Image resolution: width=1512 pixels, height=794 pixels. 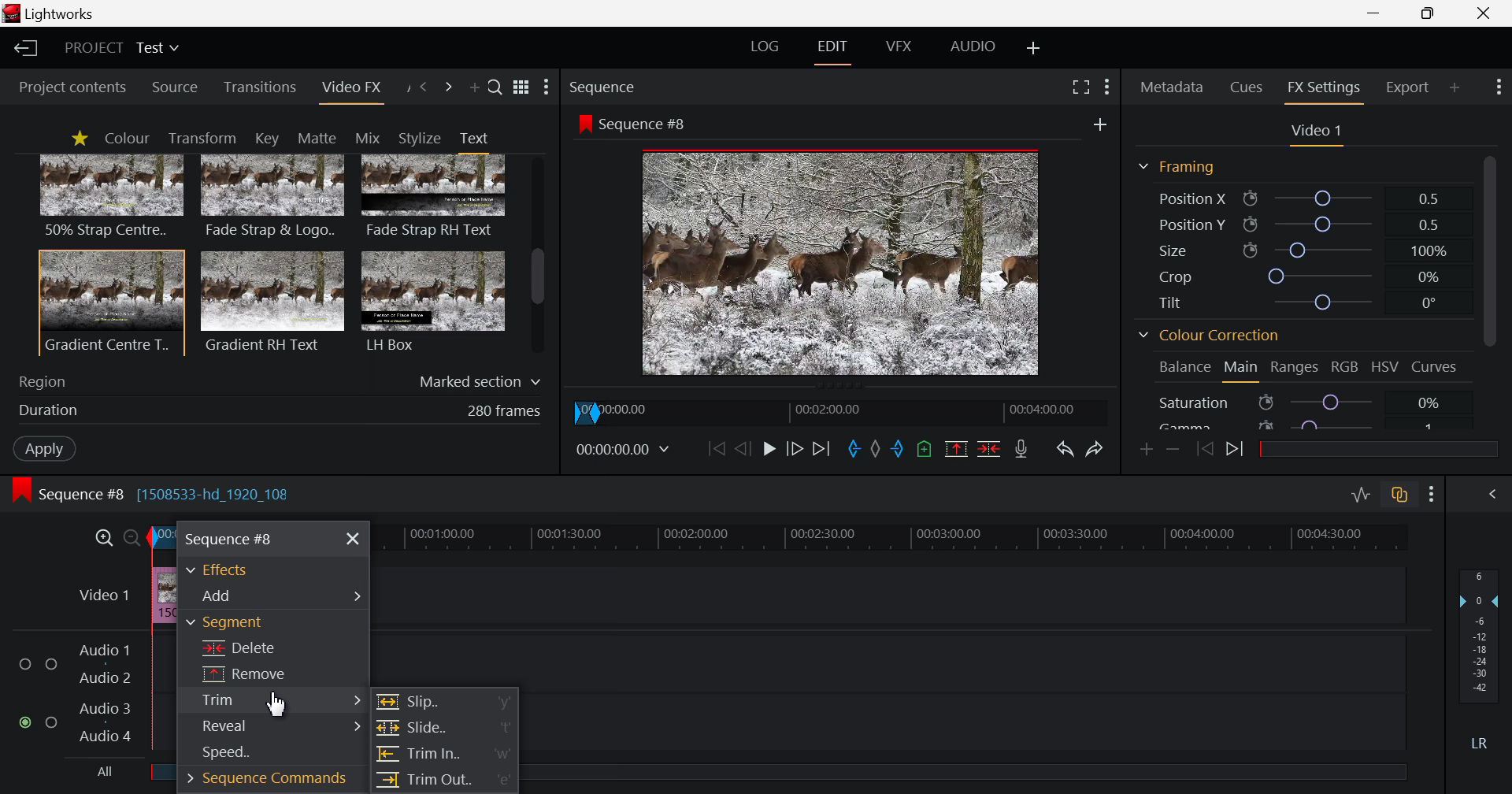 I want to click on Timeline Zoom In, so click(x=104, y=536).